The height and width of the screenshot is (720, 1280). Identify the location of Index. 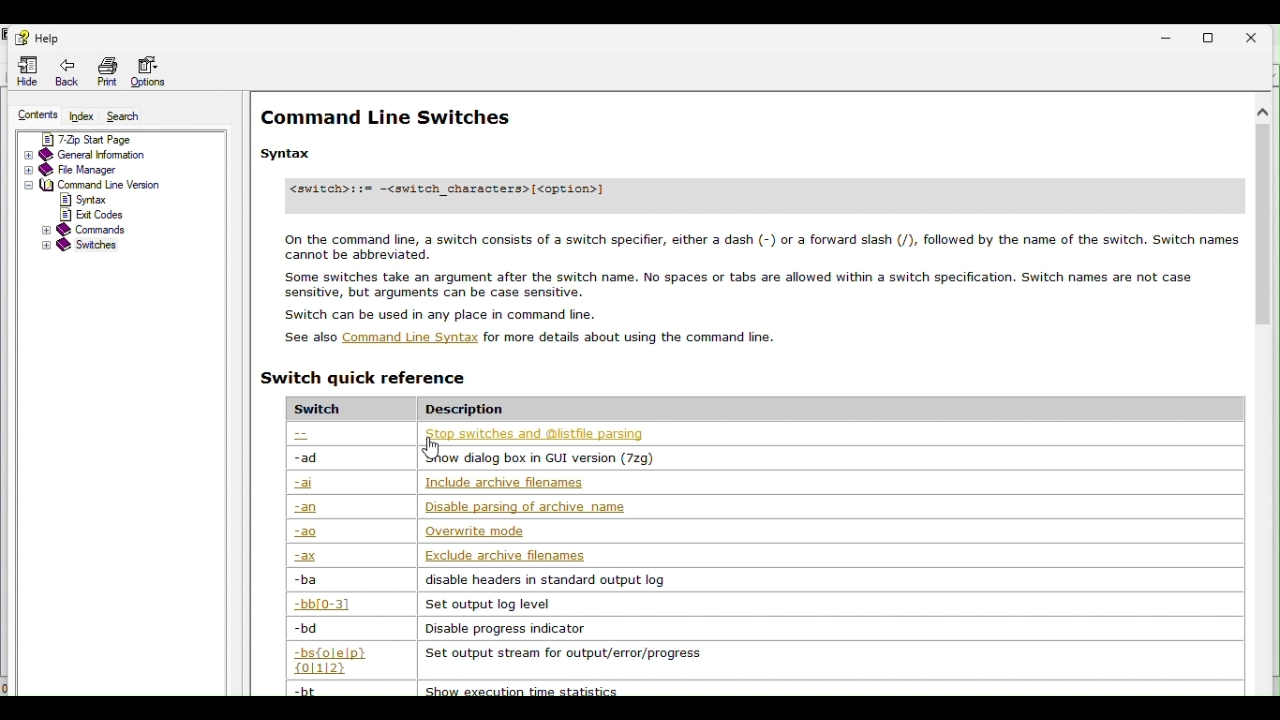
(81, 117).